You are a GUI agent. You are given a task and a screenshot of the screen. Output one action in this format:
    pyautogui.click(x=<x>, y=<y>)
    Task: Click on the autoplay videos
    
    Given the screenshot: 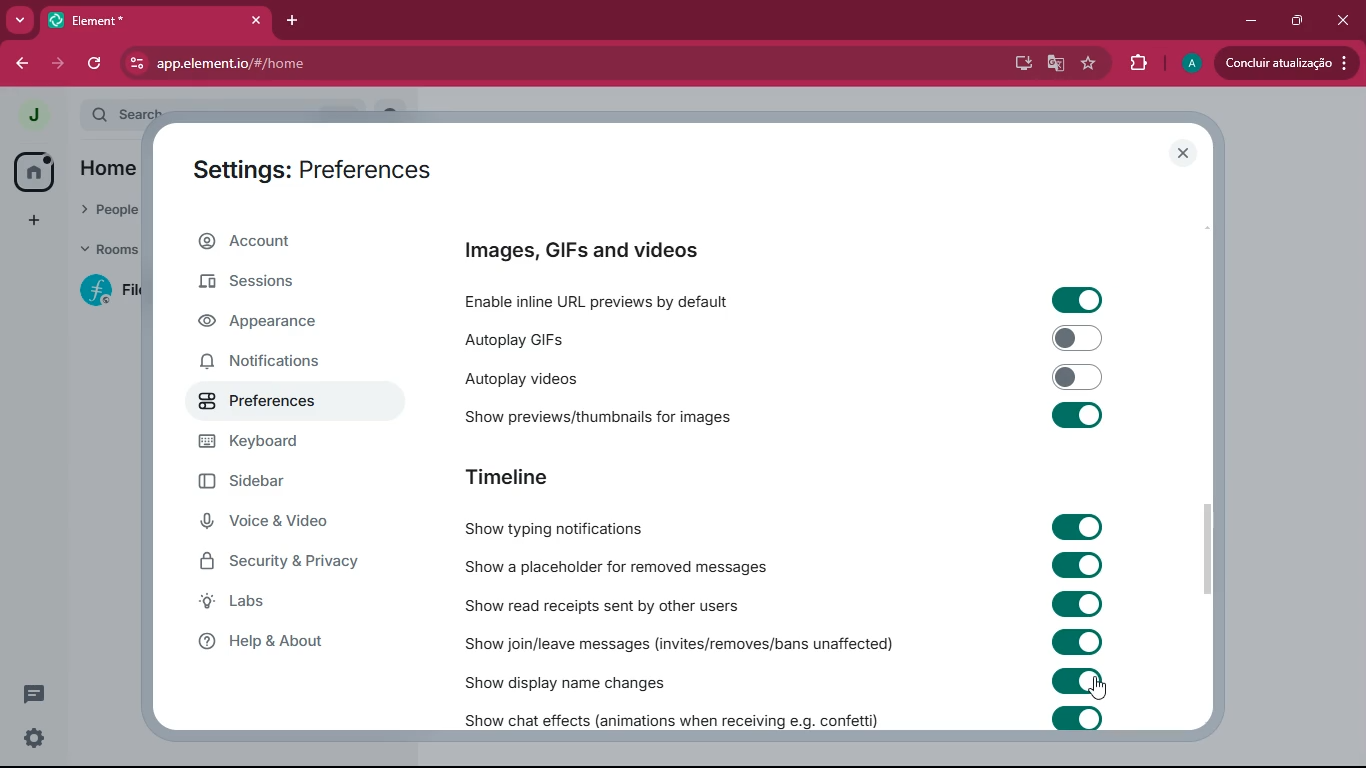 What is the action you would take?
    pyautogui.click(x=595, y=379)
    